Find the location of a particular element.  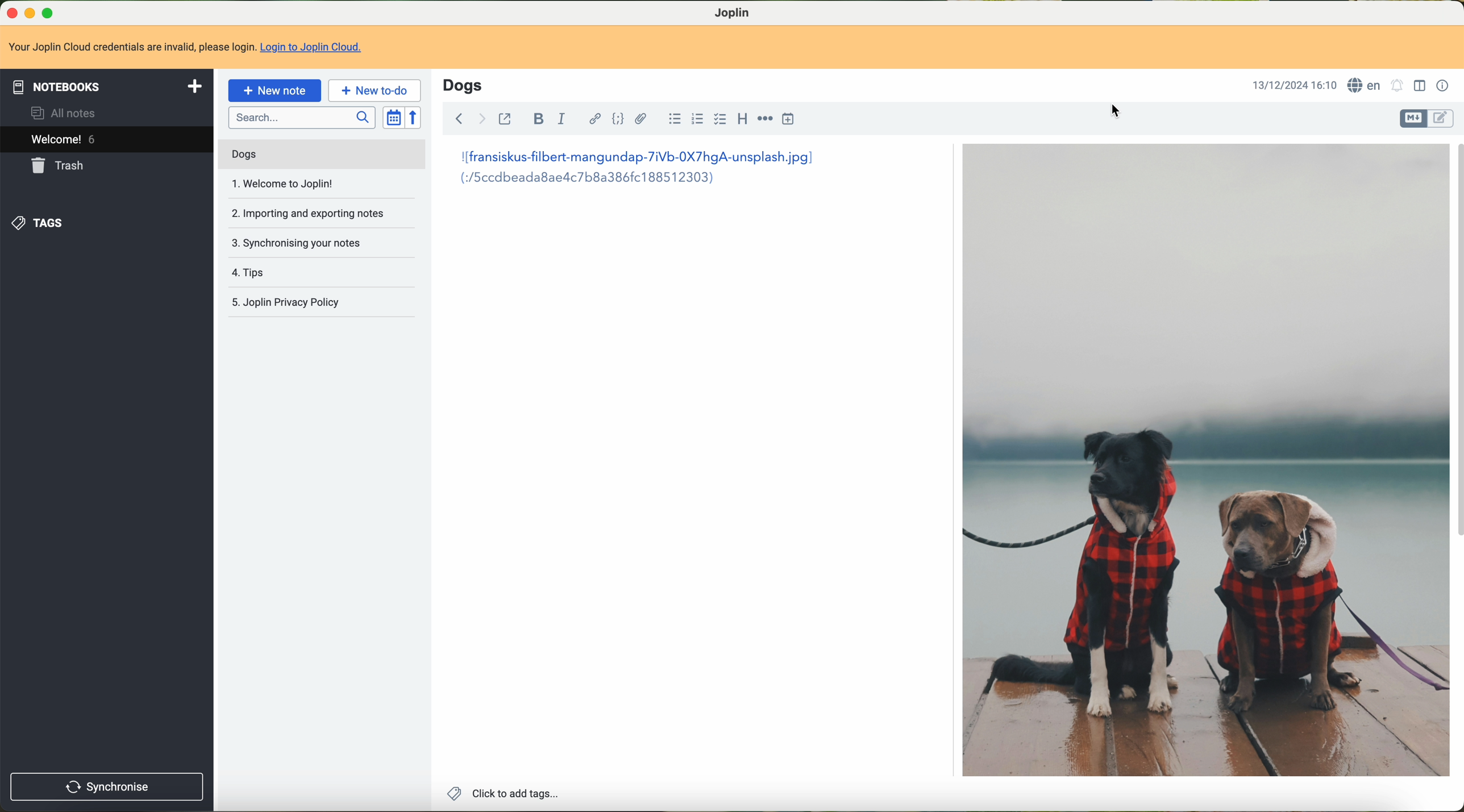

maximize Joplin is located at coordinates (49, 14).